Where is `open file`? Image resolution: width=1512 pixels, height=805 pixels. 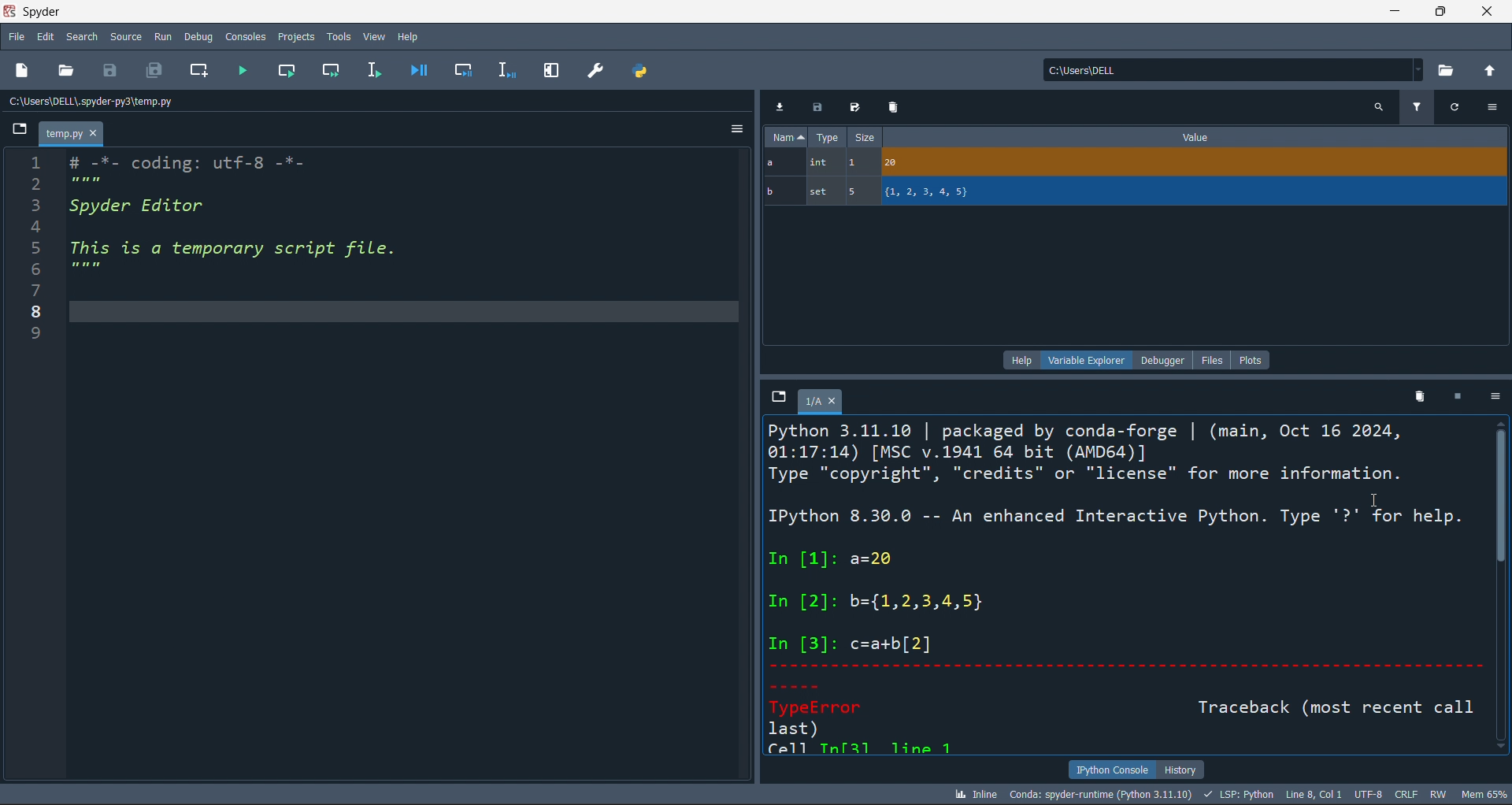 open file is located at coordinates (69, 72).